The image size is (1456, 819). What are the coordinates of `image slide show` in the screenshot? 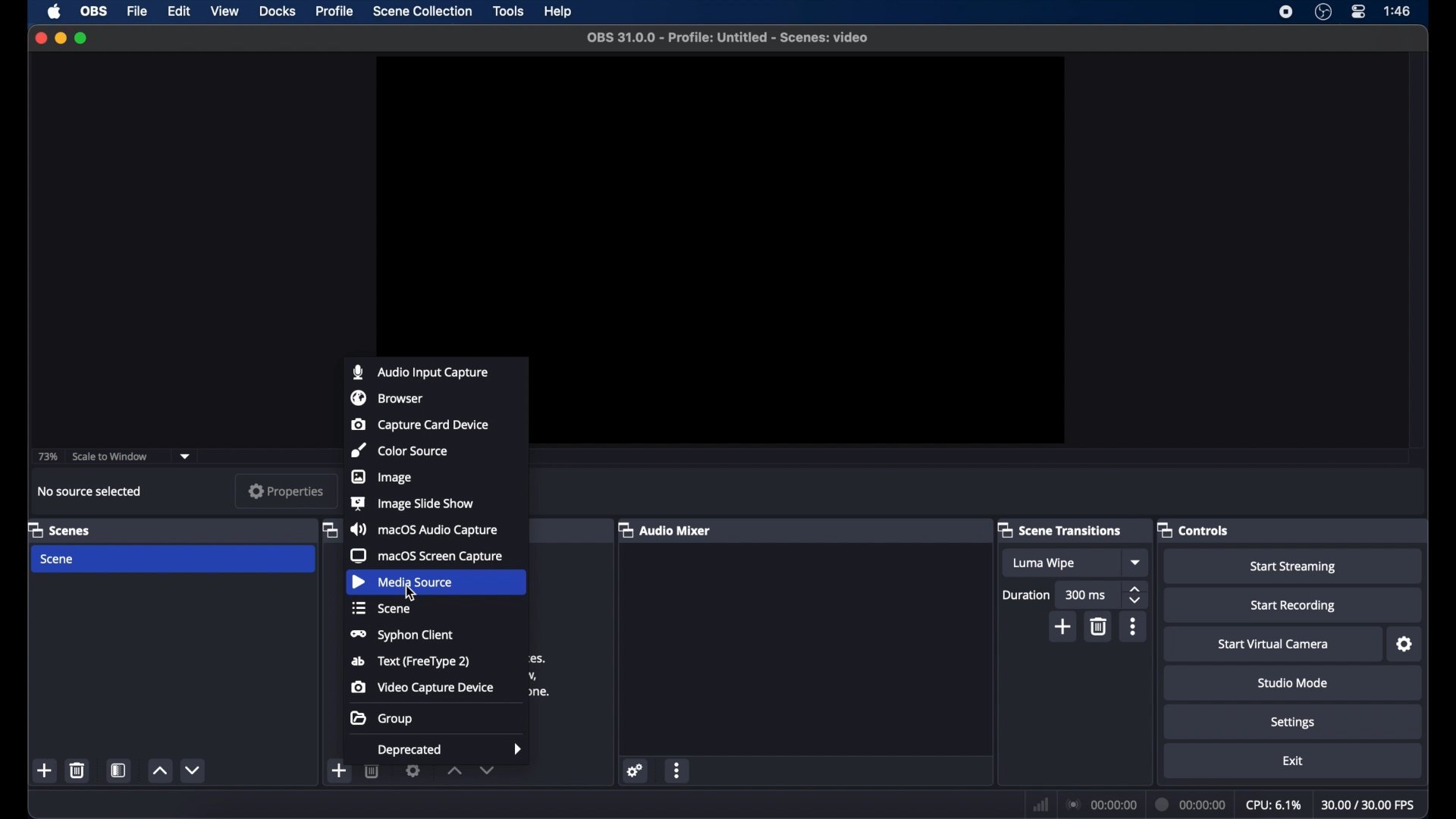 It's located at (413, 504).